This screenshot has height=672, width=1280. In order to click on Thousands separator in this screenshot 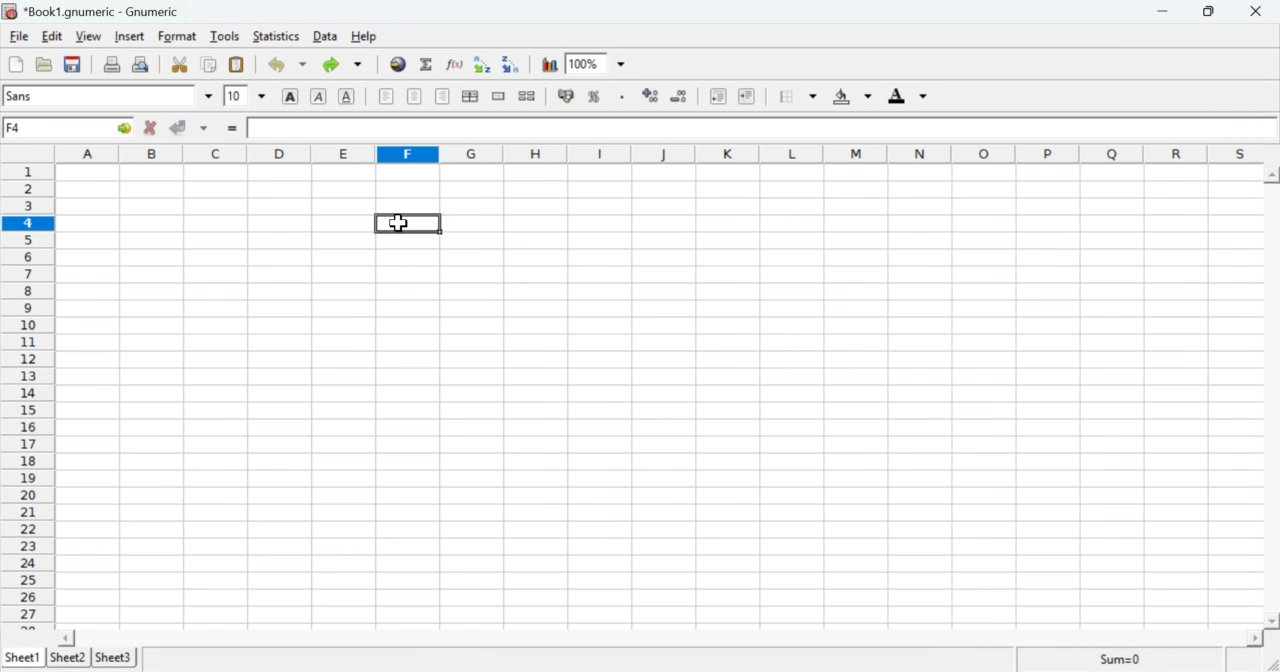, I will do `click(620, 94)`.